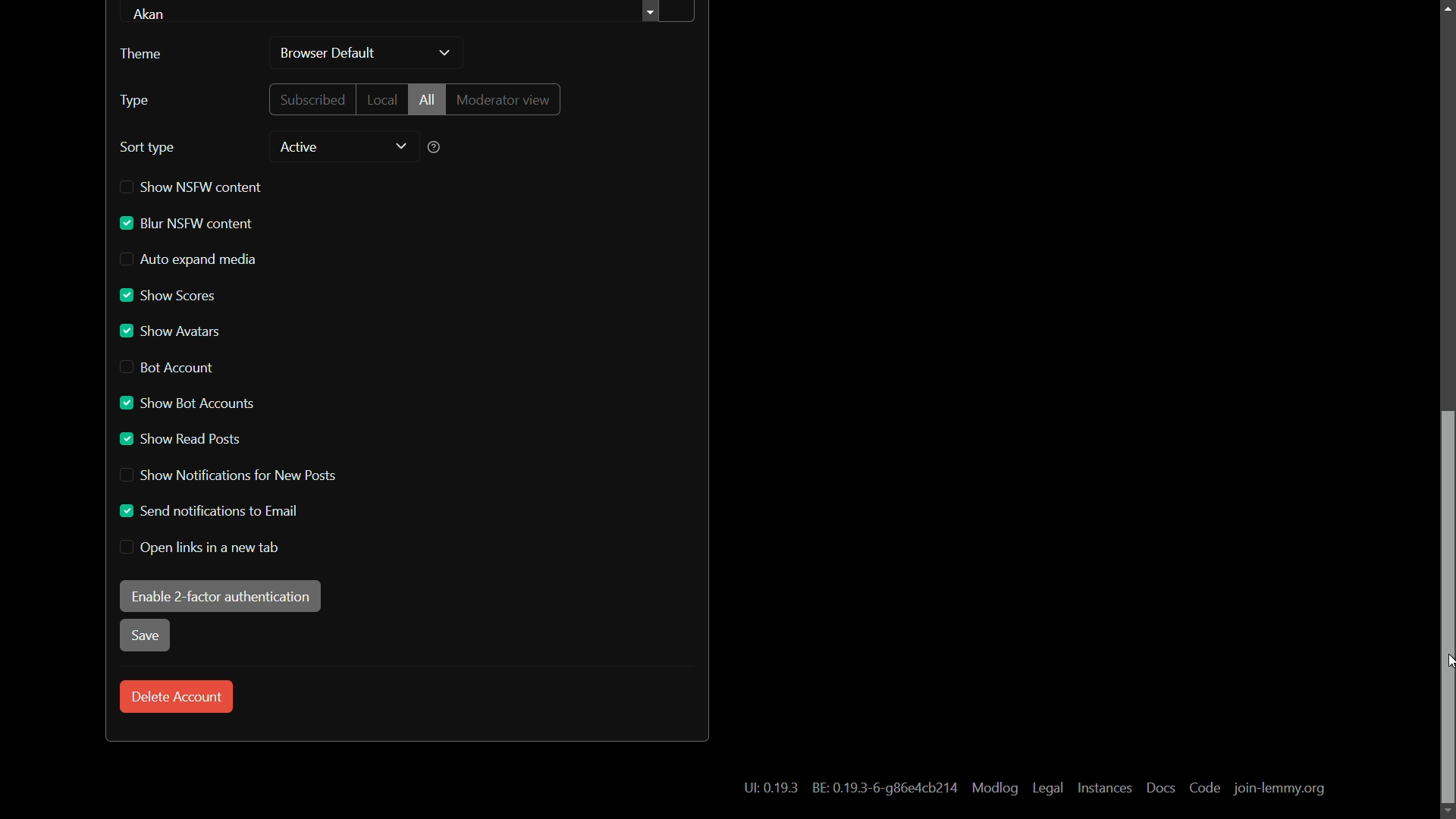  I want to click on docs, so click(1159, 787).